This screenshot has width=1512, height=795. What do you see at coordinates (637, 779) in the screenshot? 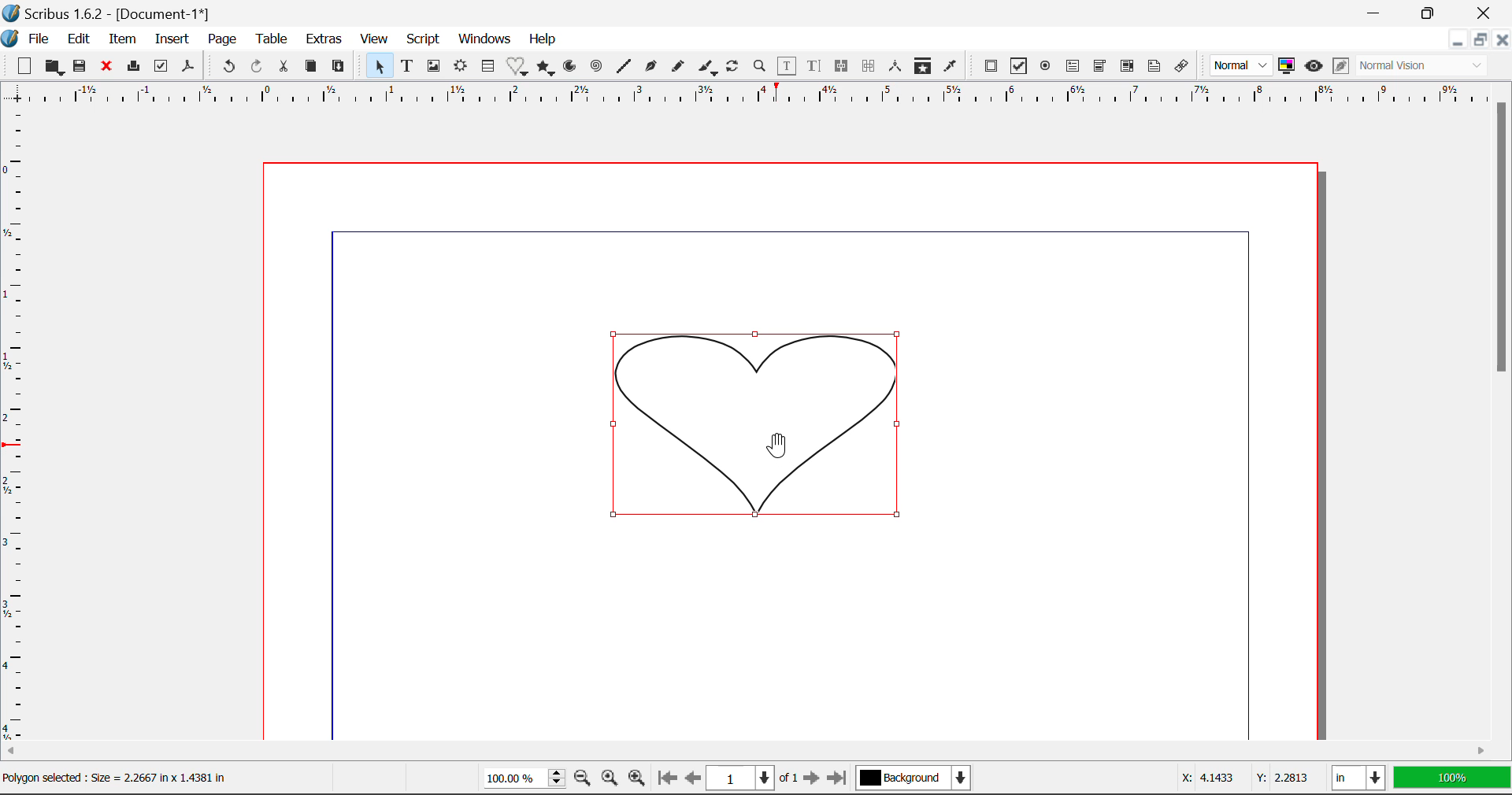
I see `Zoom In` at bounding box center [637, 779].